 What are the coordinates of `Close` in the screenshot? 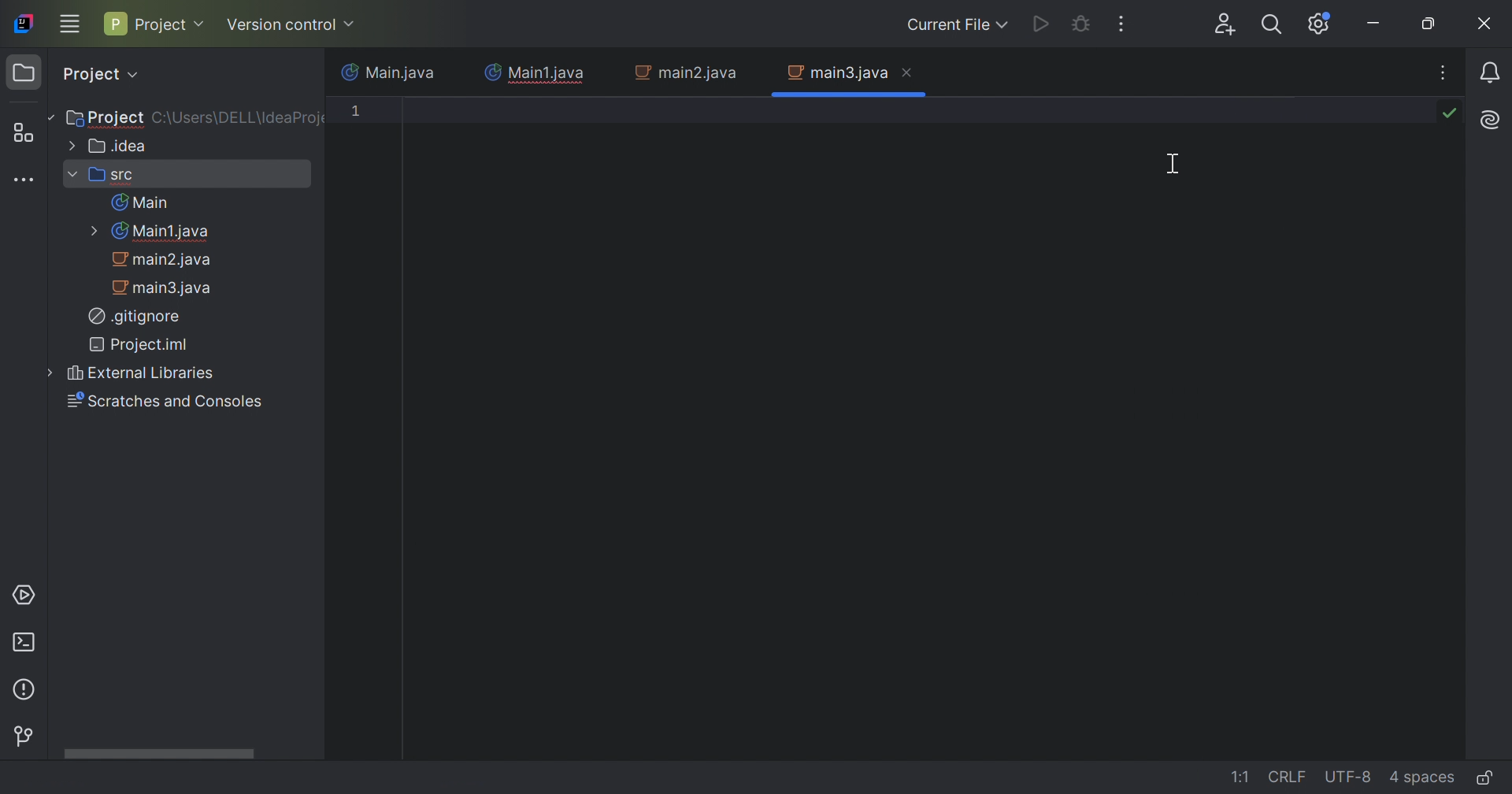 It's located at (1489, 24).